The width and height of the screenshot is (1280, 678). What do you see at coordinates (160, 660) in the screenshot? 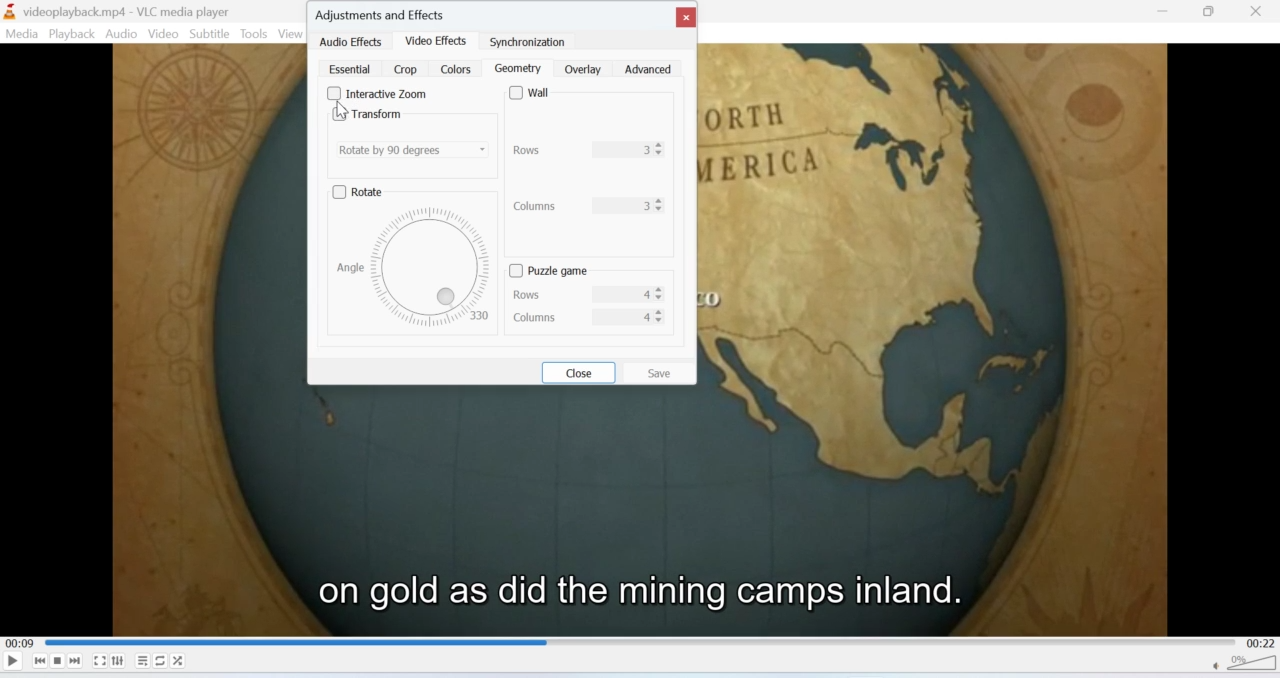
I see `Loop` at bounding box center [160, 660].